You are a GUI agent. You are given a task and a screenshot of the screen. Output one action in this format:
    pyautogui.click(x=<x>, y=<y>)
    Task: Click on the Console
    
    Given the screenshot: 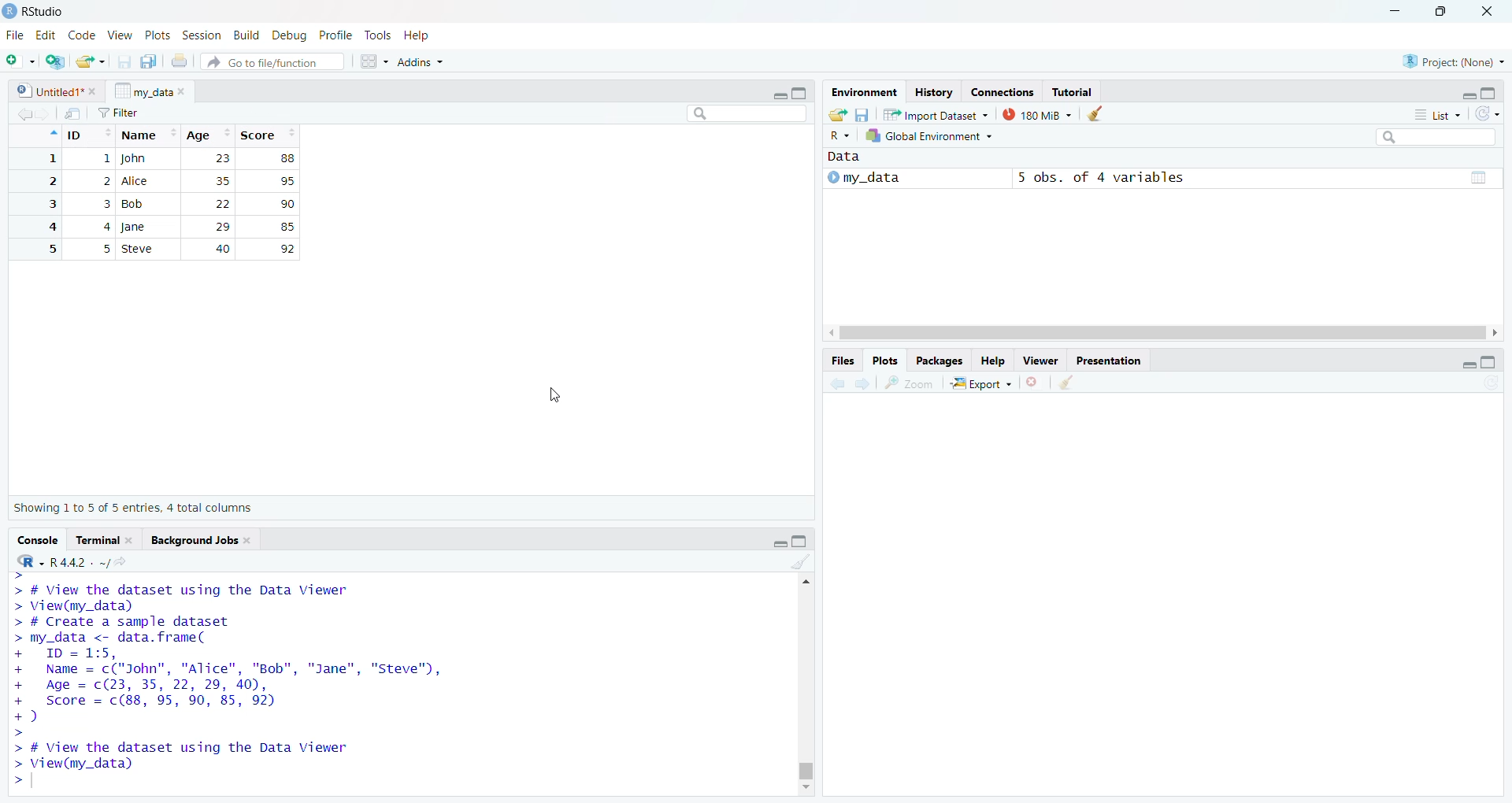 What is the action you would take?
    pyautogui.click(x=39, y=540)
    